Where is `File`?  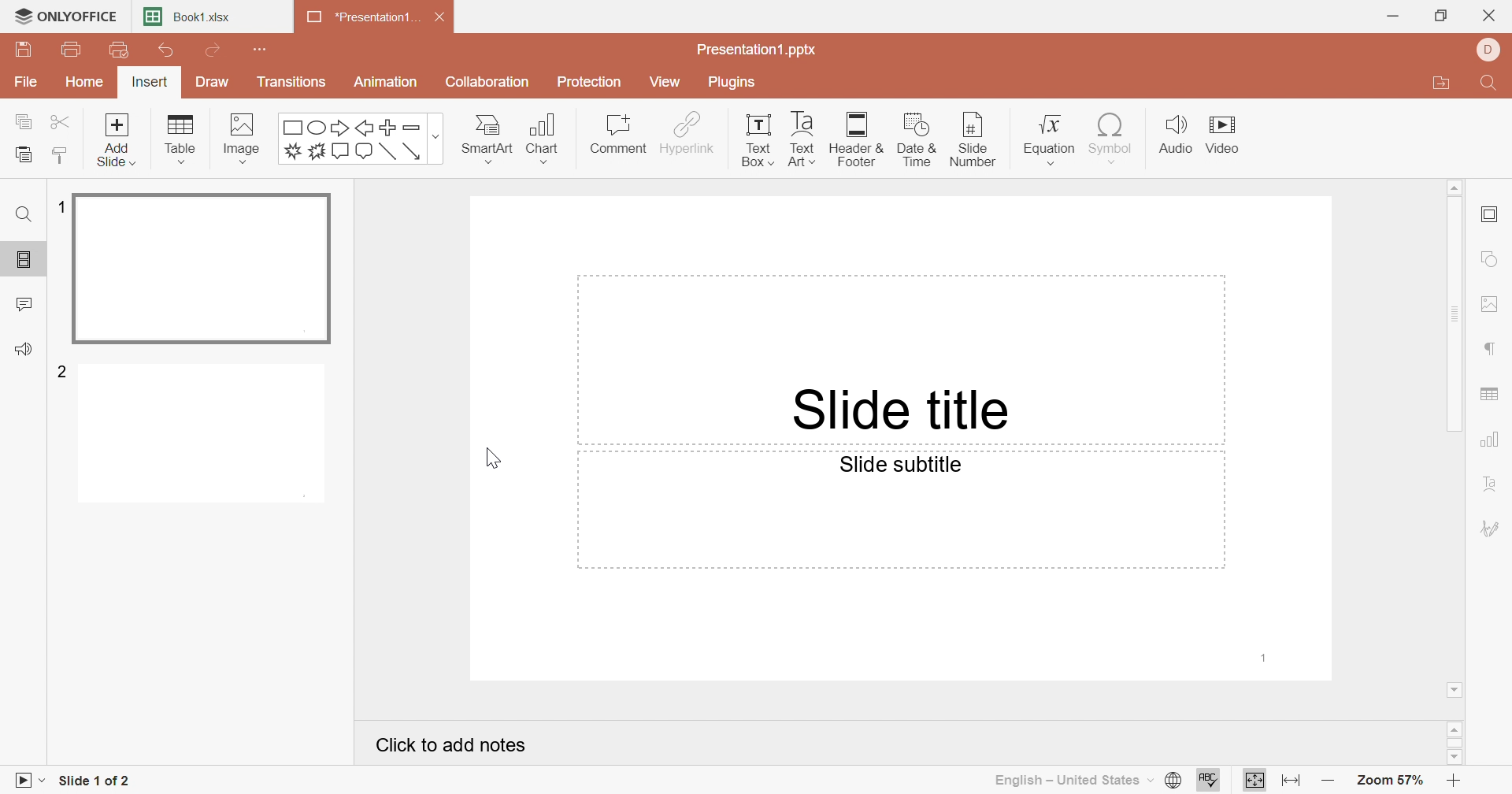 File is located at coordinates (27, 83).